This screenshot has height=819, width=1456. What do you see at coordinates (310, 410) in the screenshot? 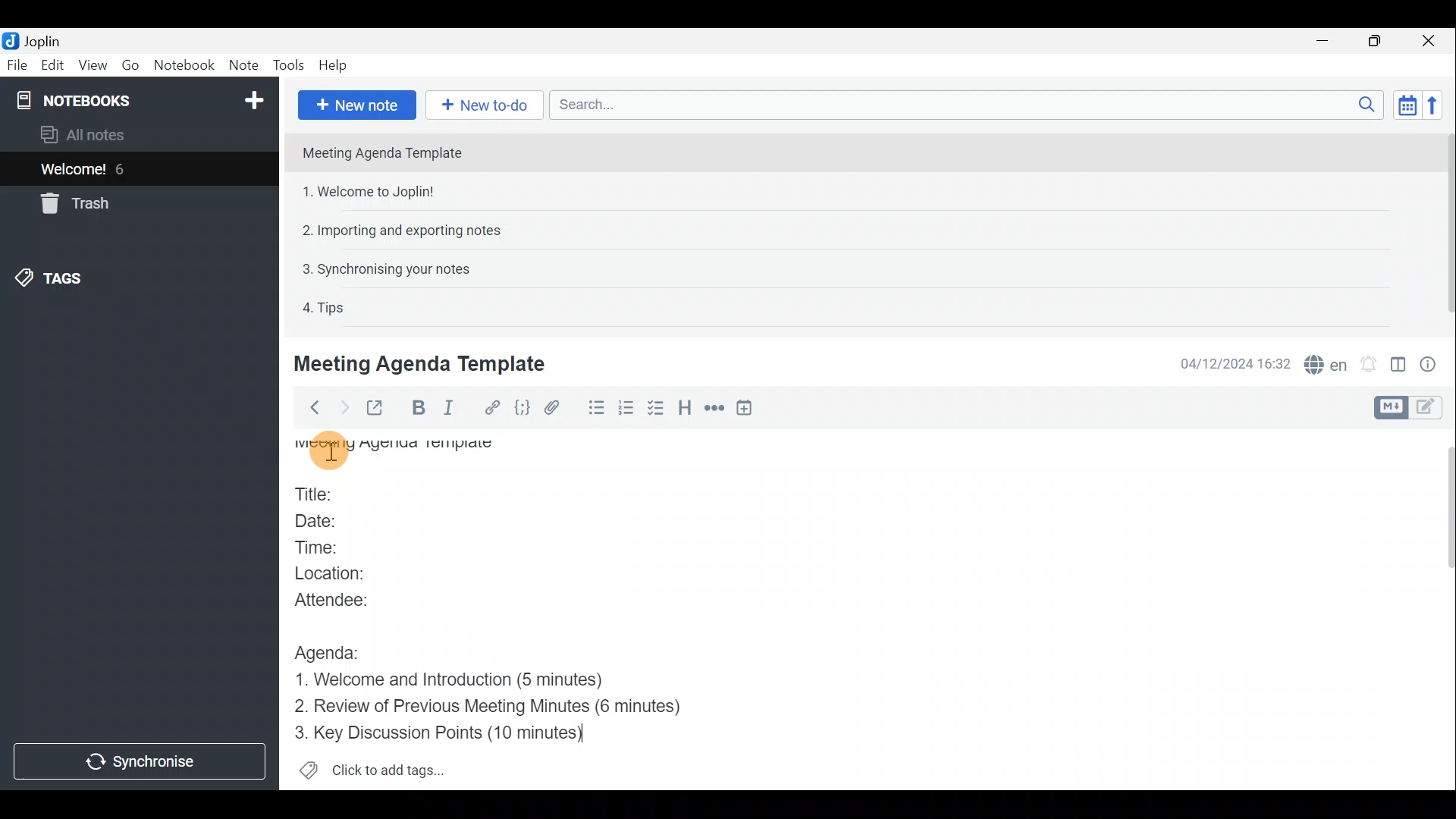
I see `Back` at bounding box center [310, 410].